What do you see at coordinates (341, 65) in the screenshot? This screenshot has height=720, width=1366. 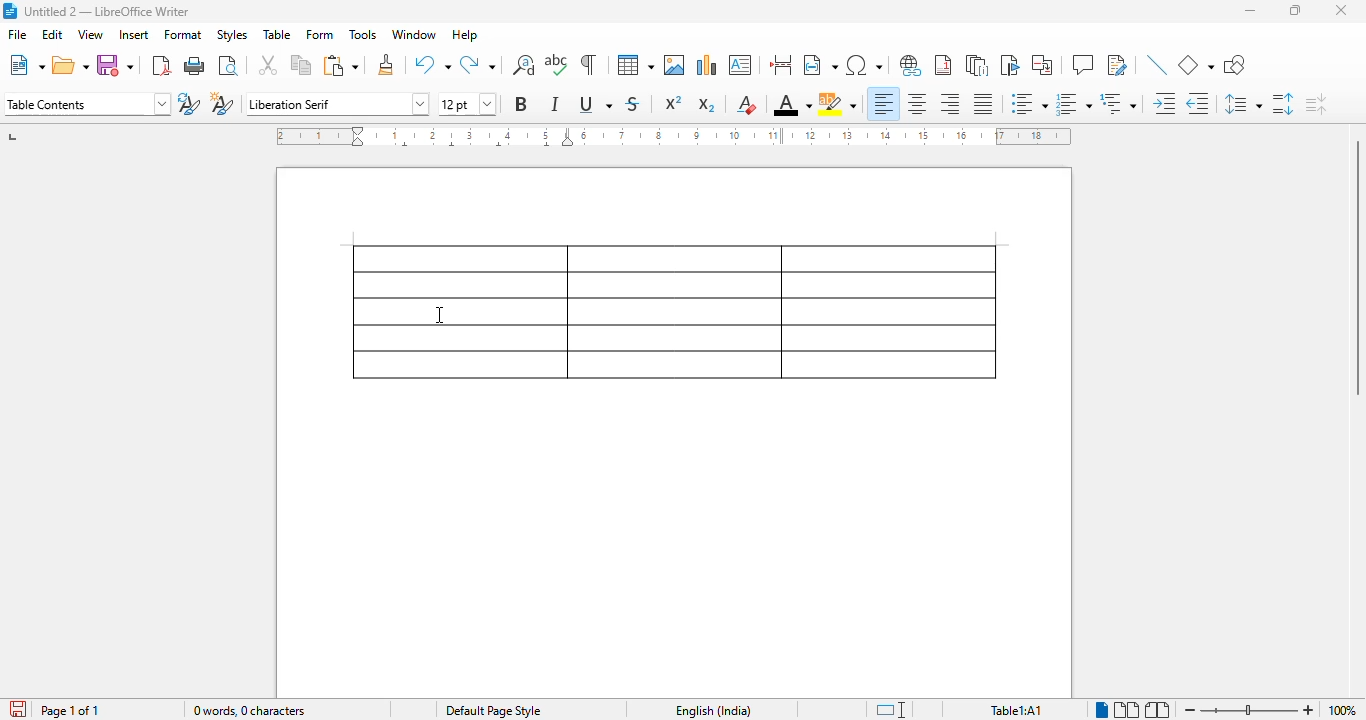 I see `paste` at bounding box center [341, 65].